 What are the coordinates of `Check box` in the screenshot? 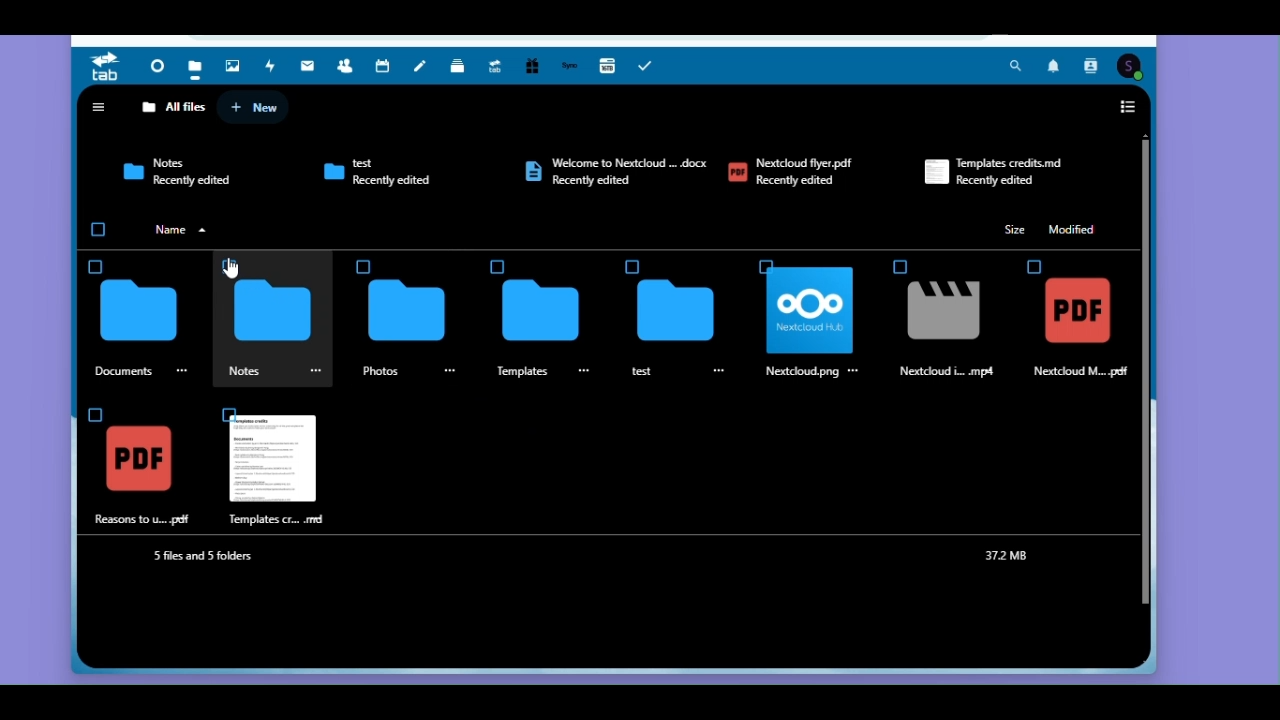 It's located at (498, 266).